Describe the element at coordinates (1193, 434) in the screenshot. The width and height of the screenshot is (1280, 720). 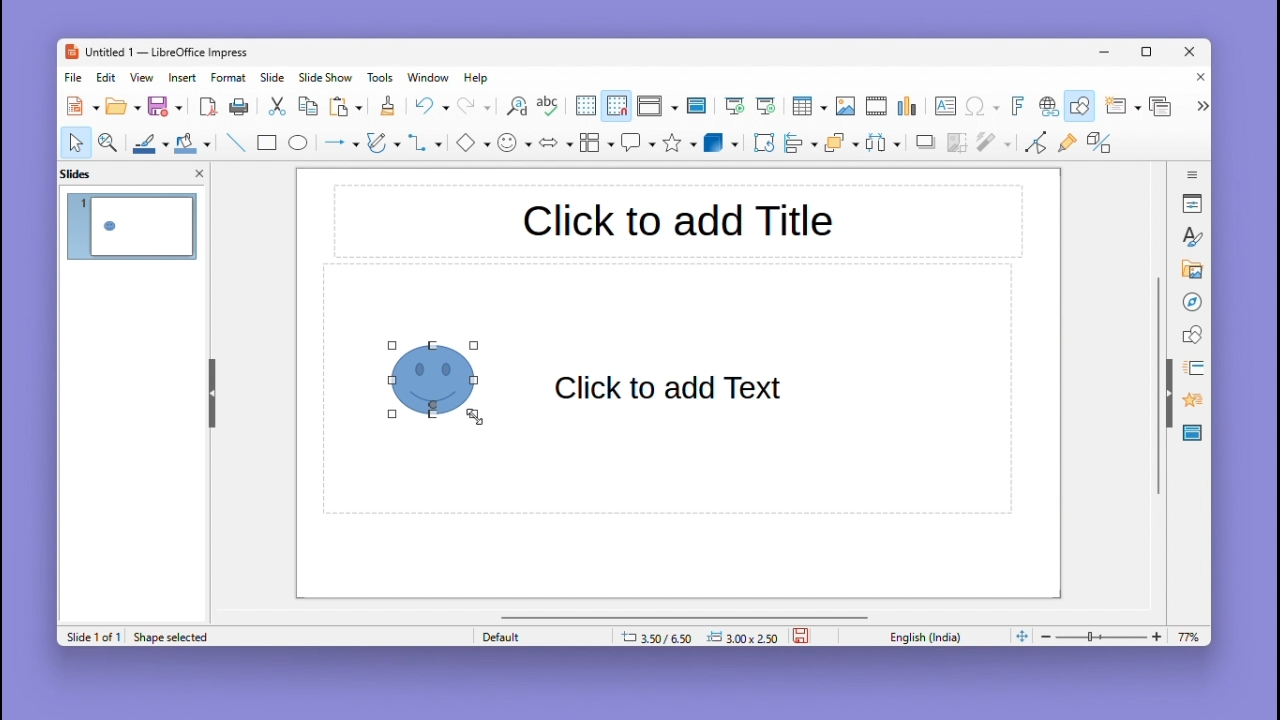
I see `Masters slide` at that location.